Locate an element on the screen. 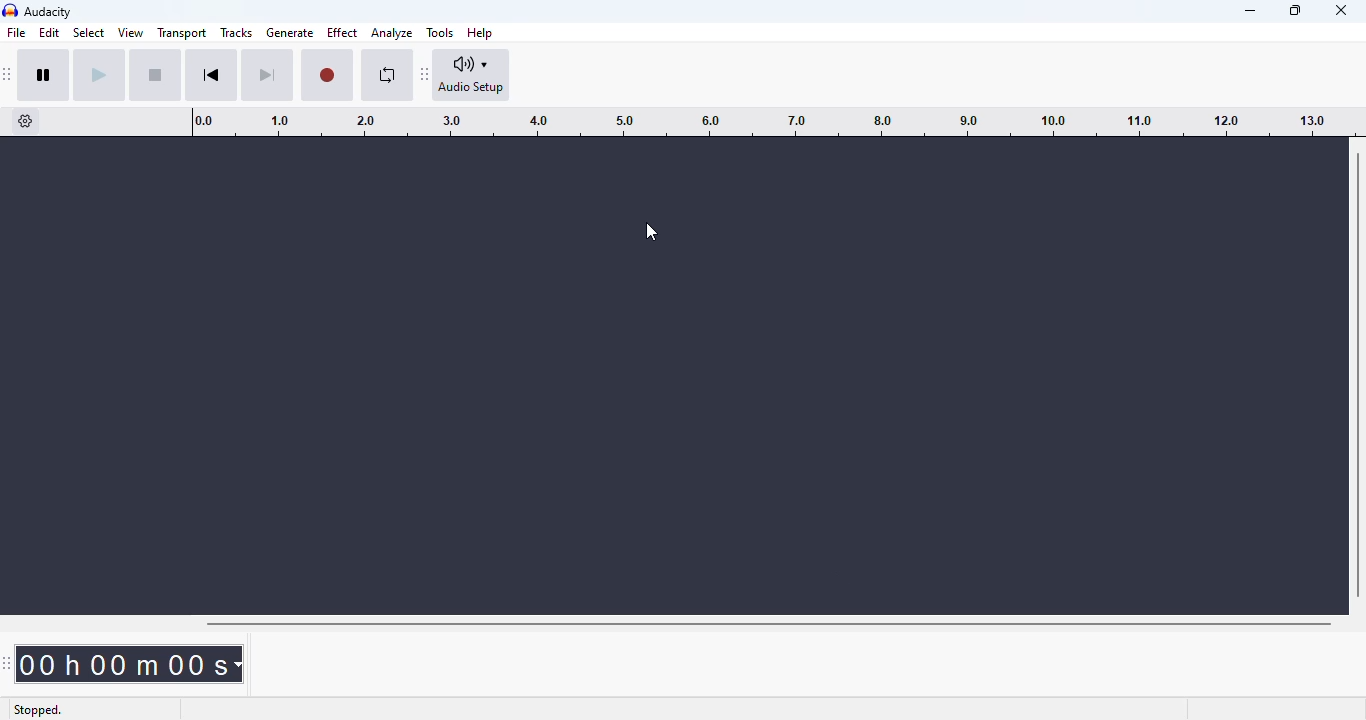 The image size is (1366, 720). logo is located at coordinates (10, 11).